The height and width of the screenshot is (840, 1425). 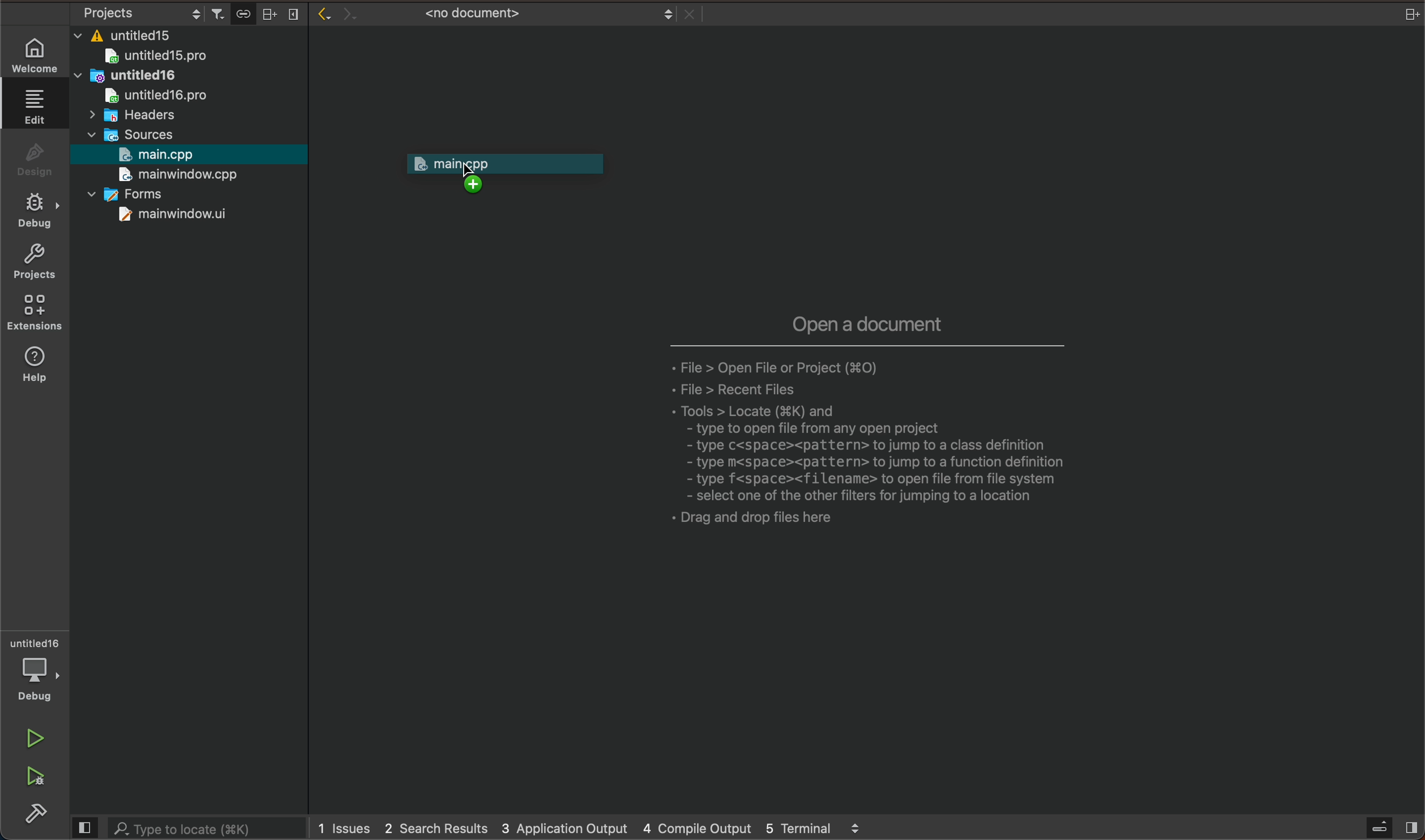 I want to click on close, so click(x=296, y=15).